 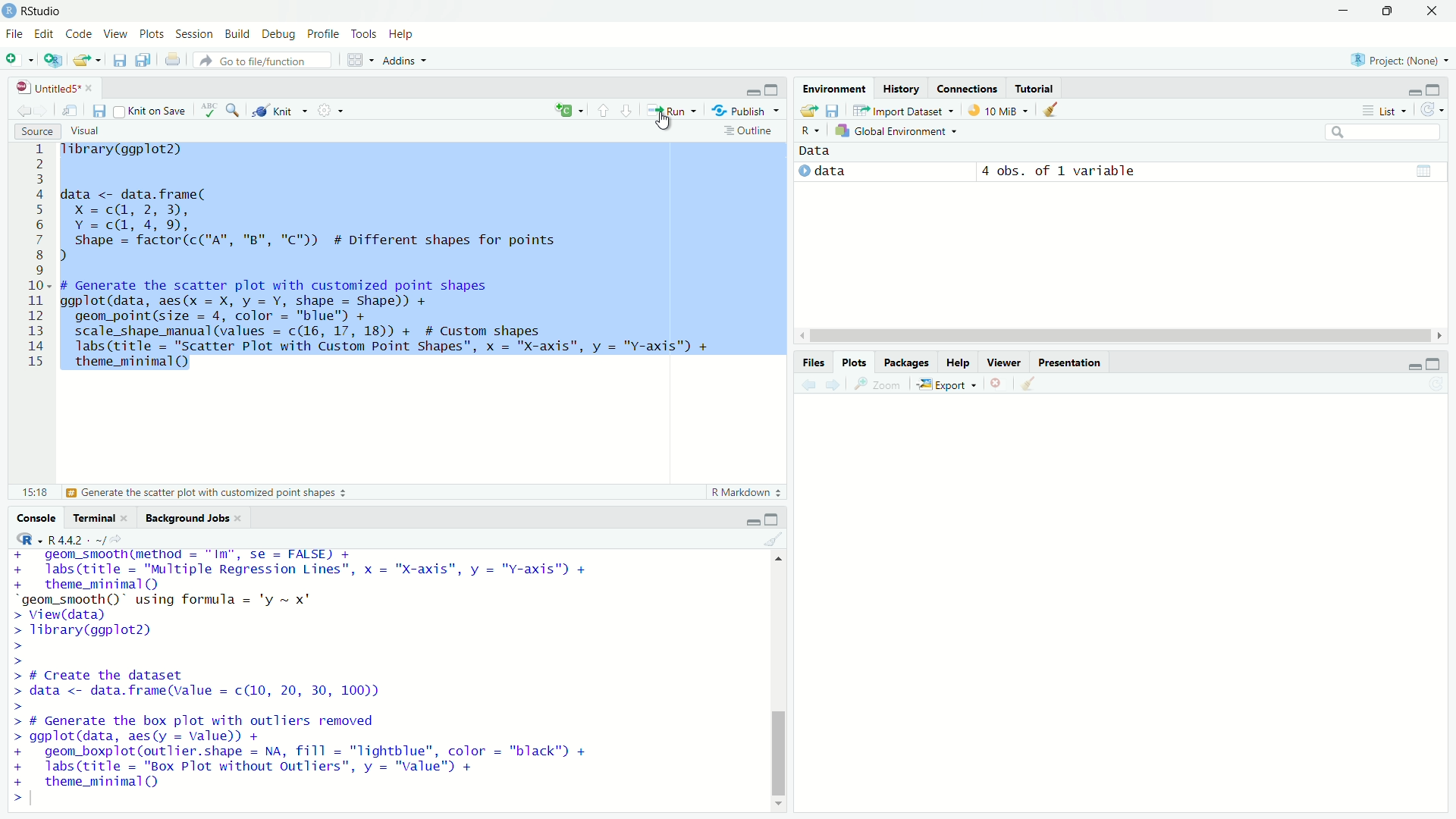 What do you see at coordinates (37, 257) in the screenshot?
I see `Line numbers` at bounding box center [37, 257].